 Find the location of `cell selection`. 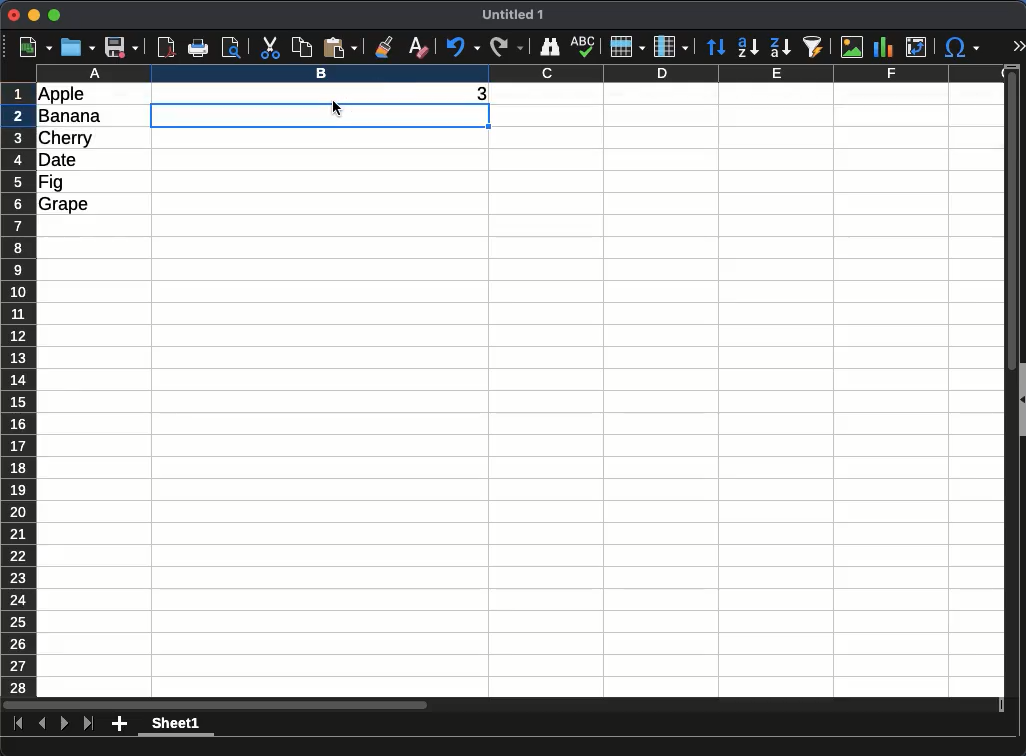

cell selection is located at coordinates (320, 115).